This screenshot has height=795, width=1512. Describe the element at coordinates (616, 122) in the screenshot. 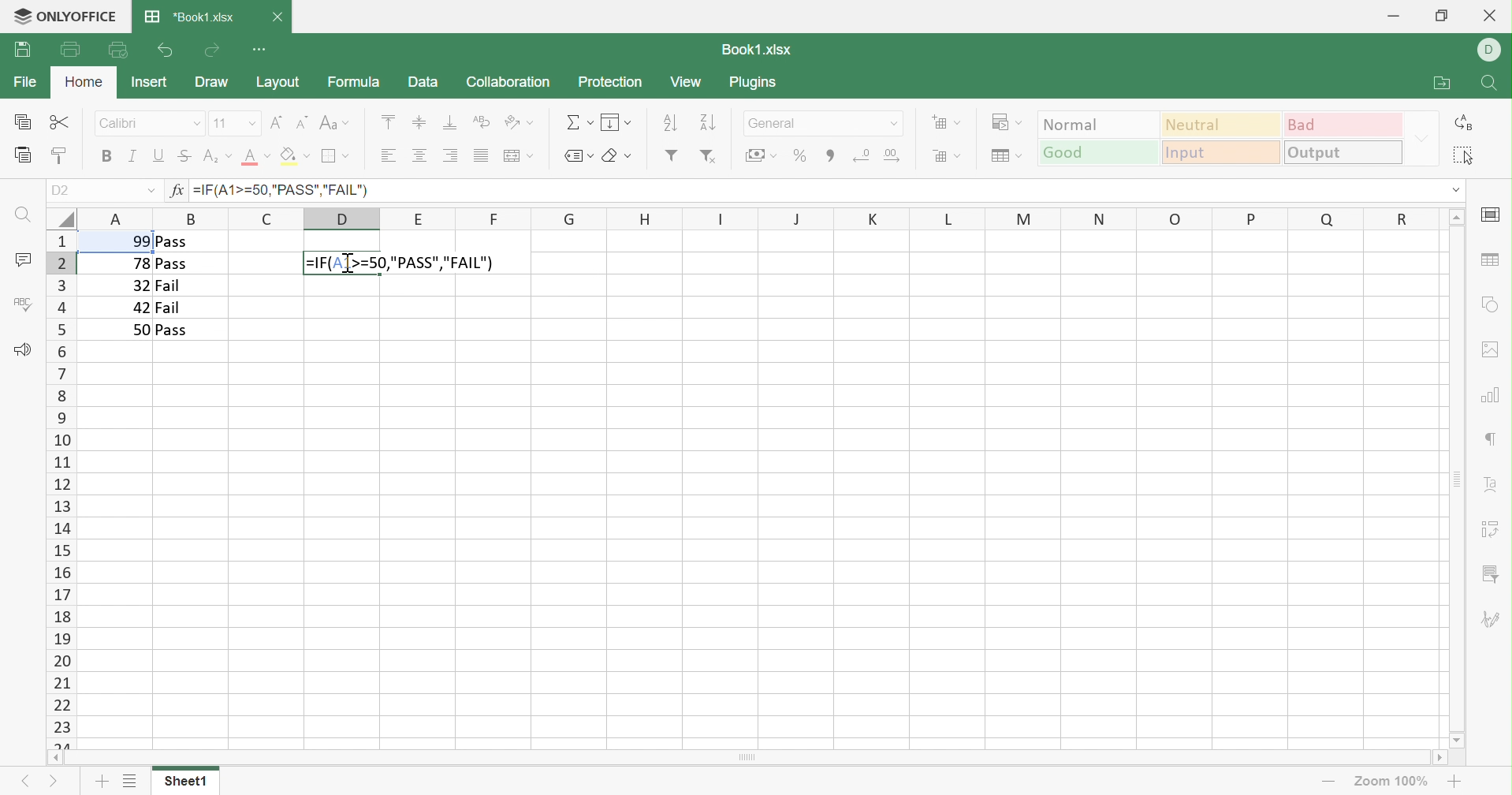

I see `Fill` at that location.